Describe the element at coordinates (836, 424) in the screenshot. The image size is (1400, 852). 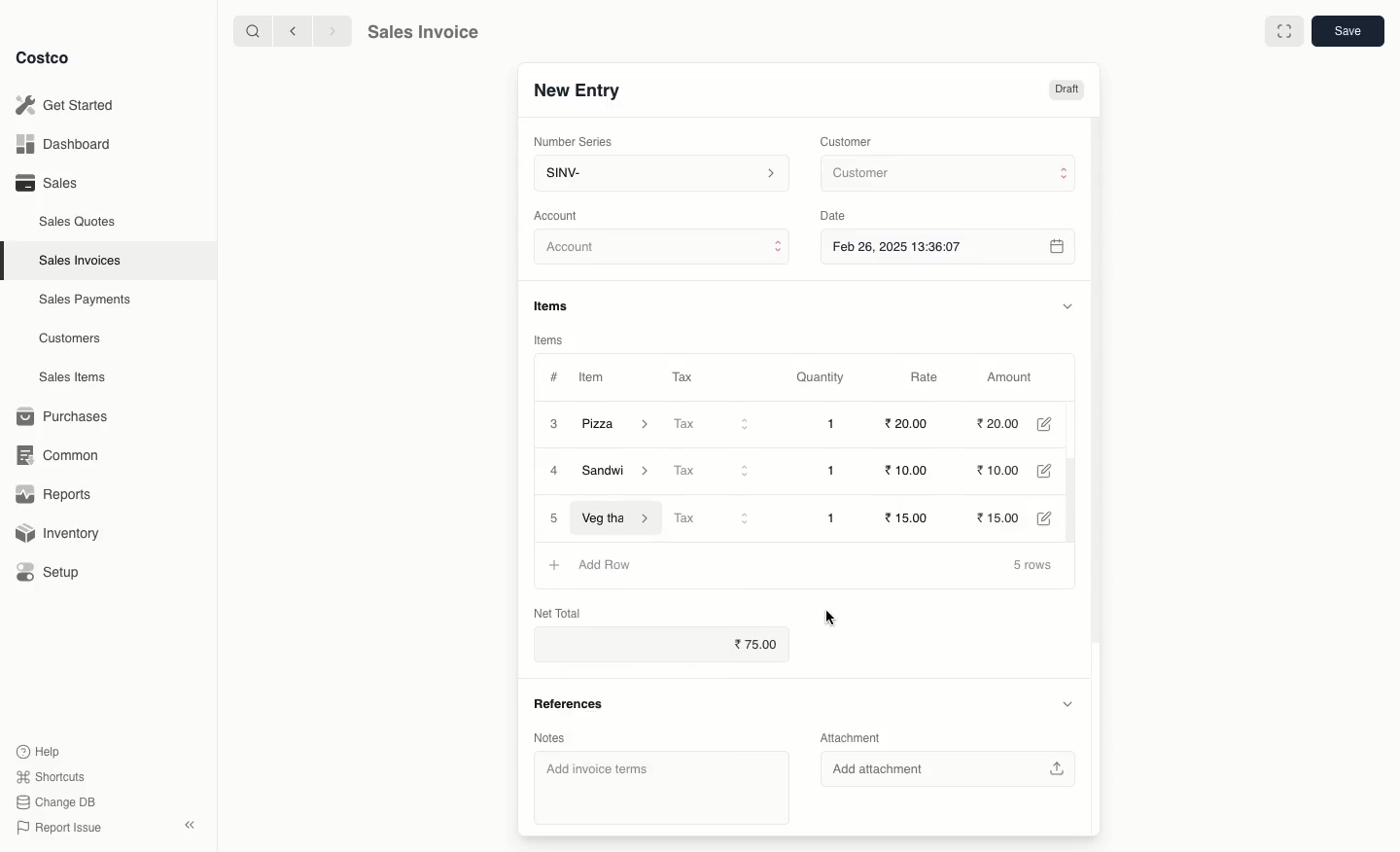
I see `1` at that location.